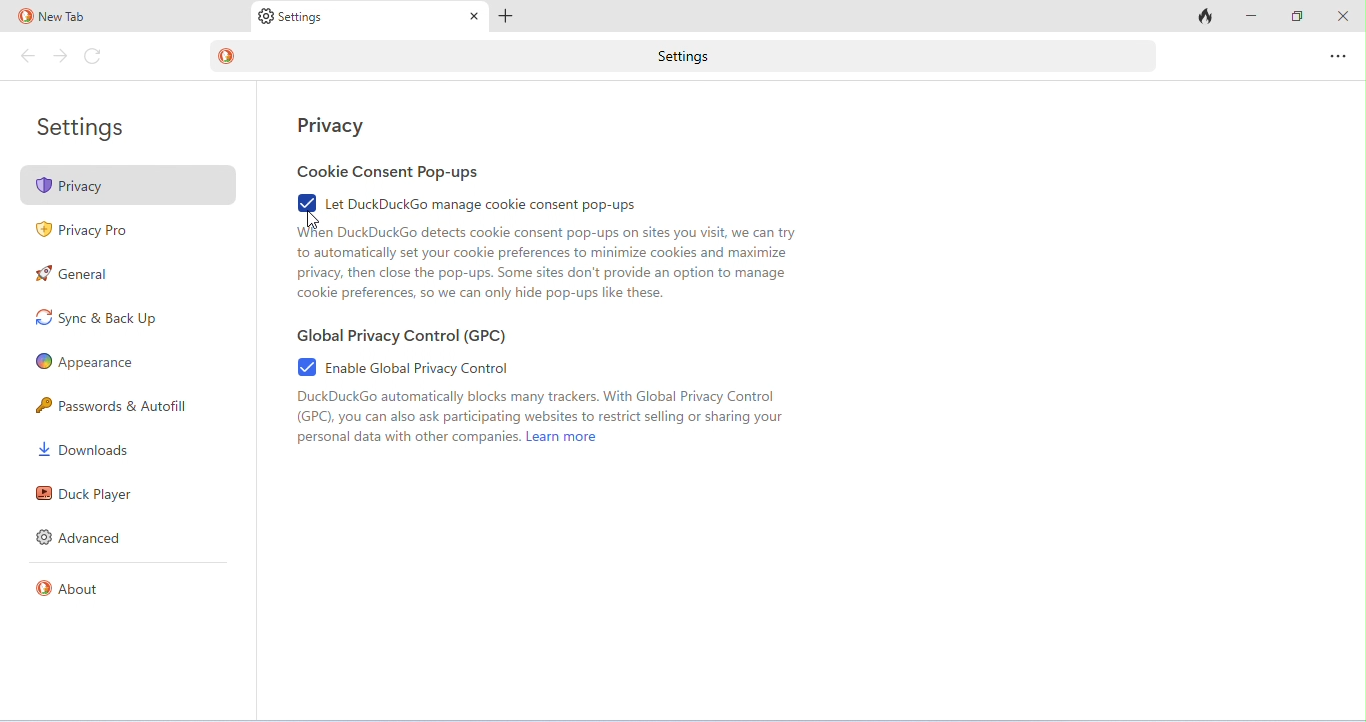  I want to click on duckduckgo logo, so click(225, 55).